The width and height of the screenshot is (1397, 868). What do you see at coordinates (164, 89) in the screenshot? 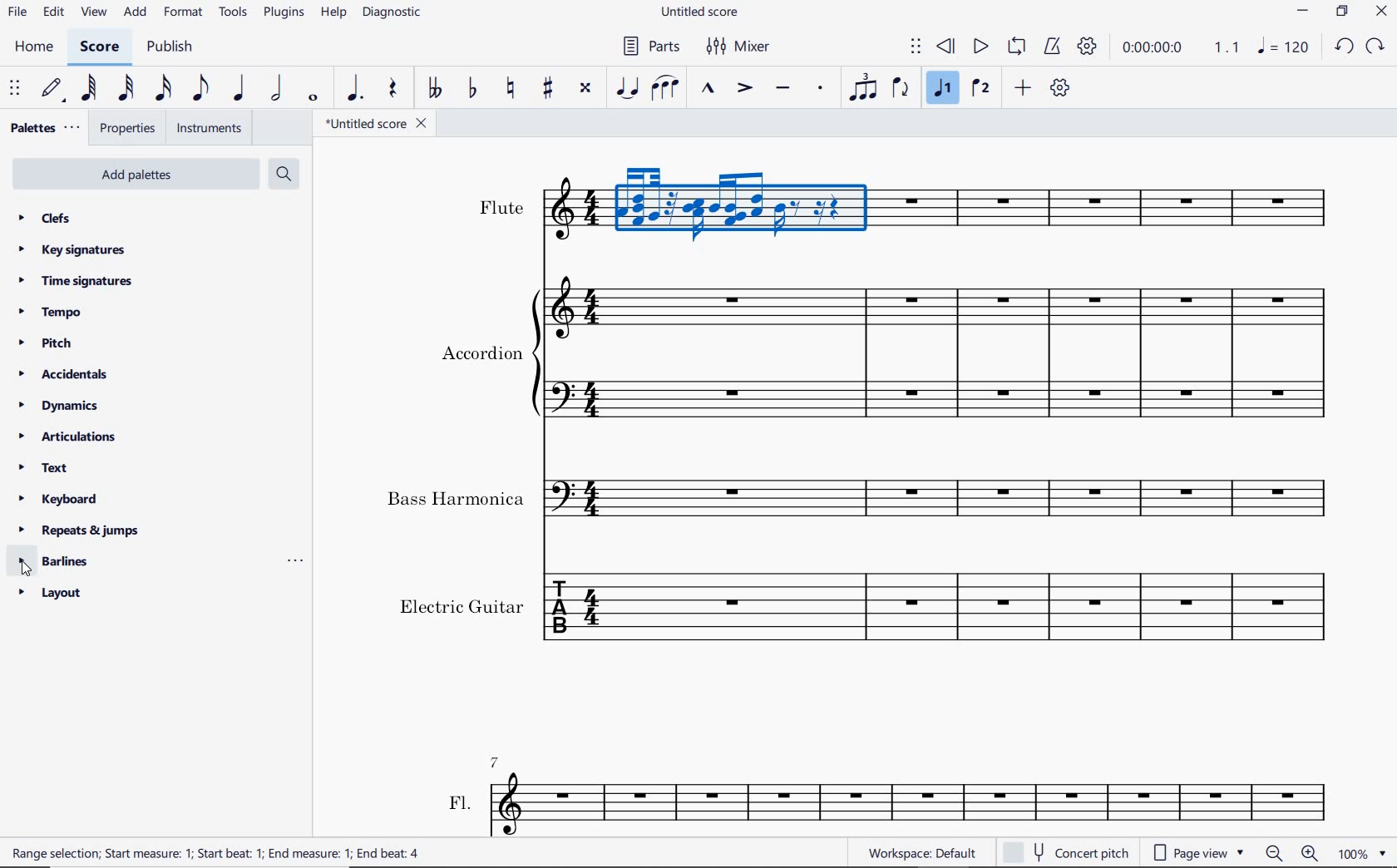
I see `16th note` at bounding box center [164, 89].